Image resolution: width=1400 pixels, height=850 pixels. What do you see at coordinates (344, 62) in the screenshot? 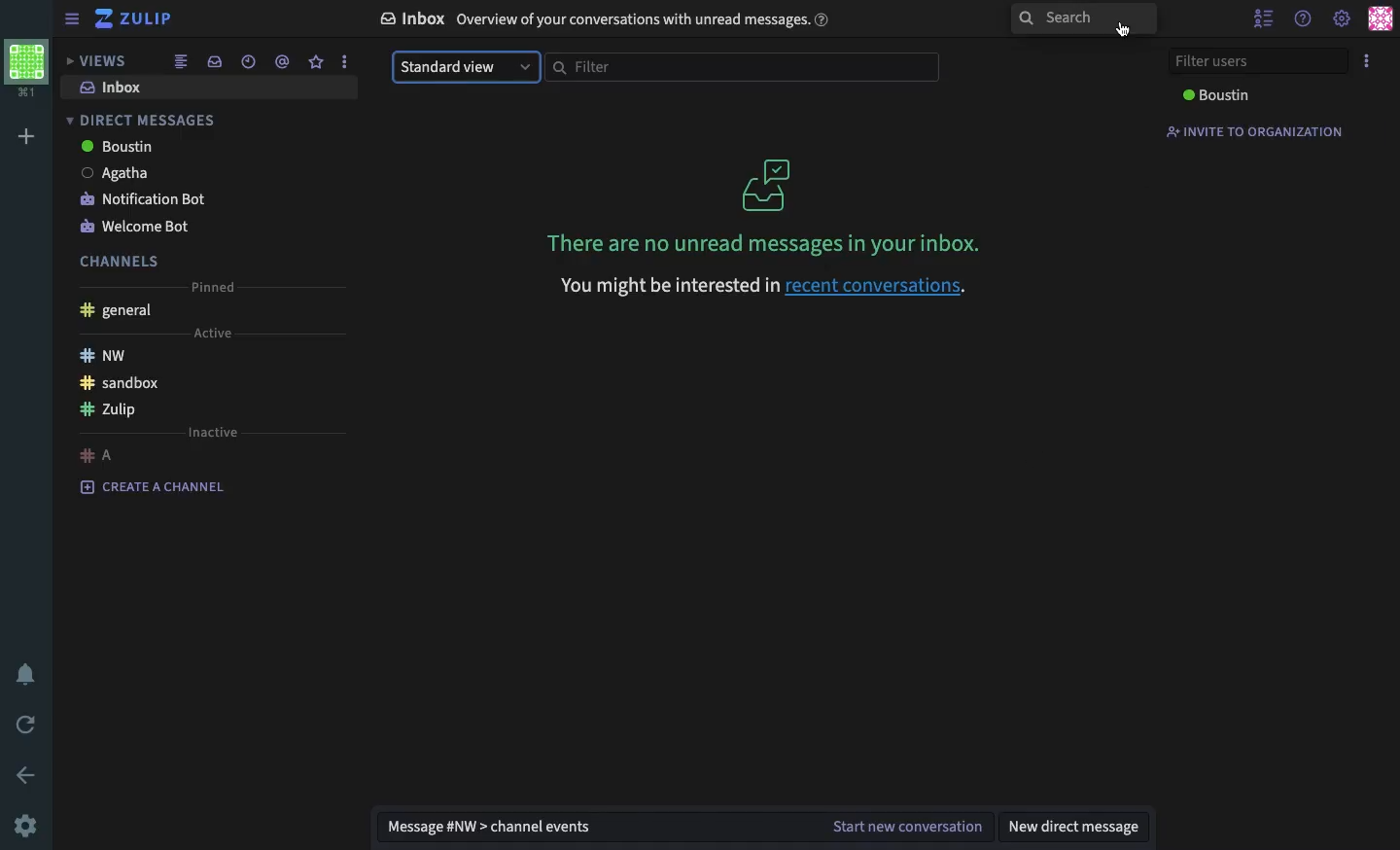
I see `options` at bounding box center [344, 62].